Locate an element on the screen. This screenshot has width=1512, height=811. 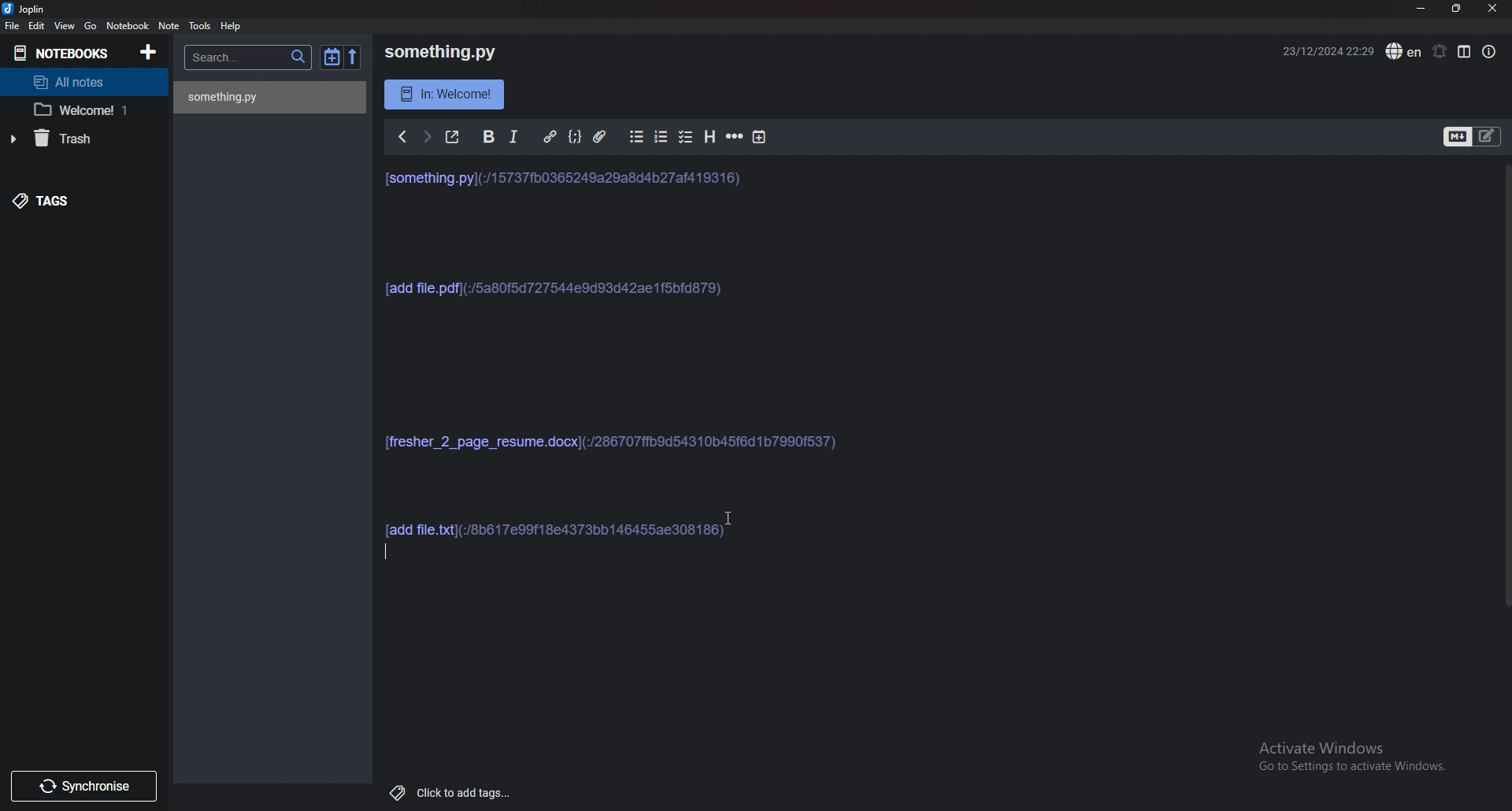
23/12/2024 22:29 is located at coordinates (1317, 53).